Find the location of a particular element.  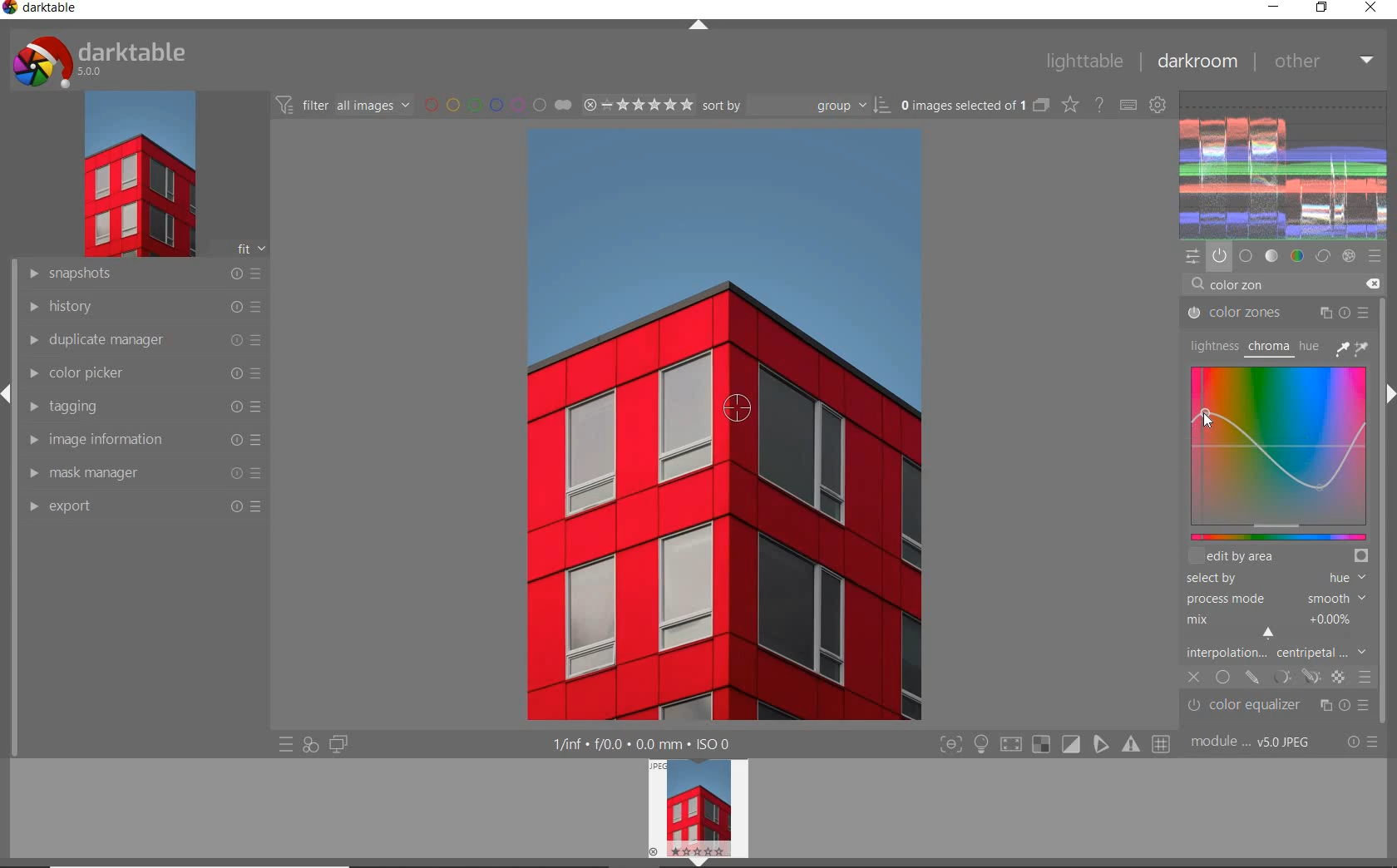

base is located at coordinates (1246, 254).